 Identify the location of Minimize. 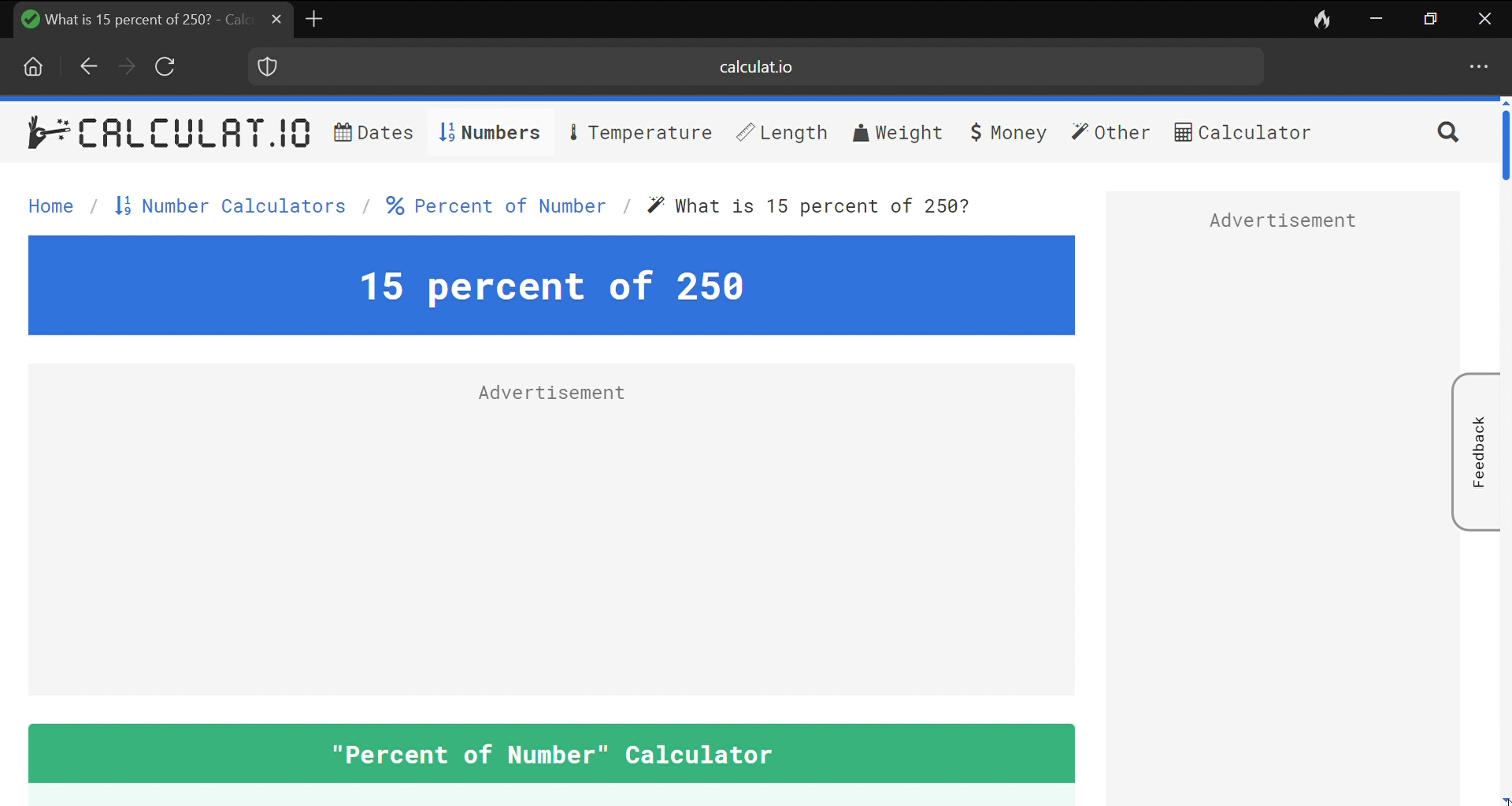
(1377, 17).